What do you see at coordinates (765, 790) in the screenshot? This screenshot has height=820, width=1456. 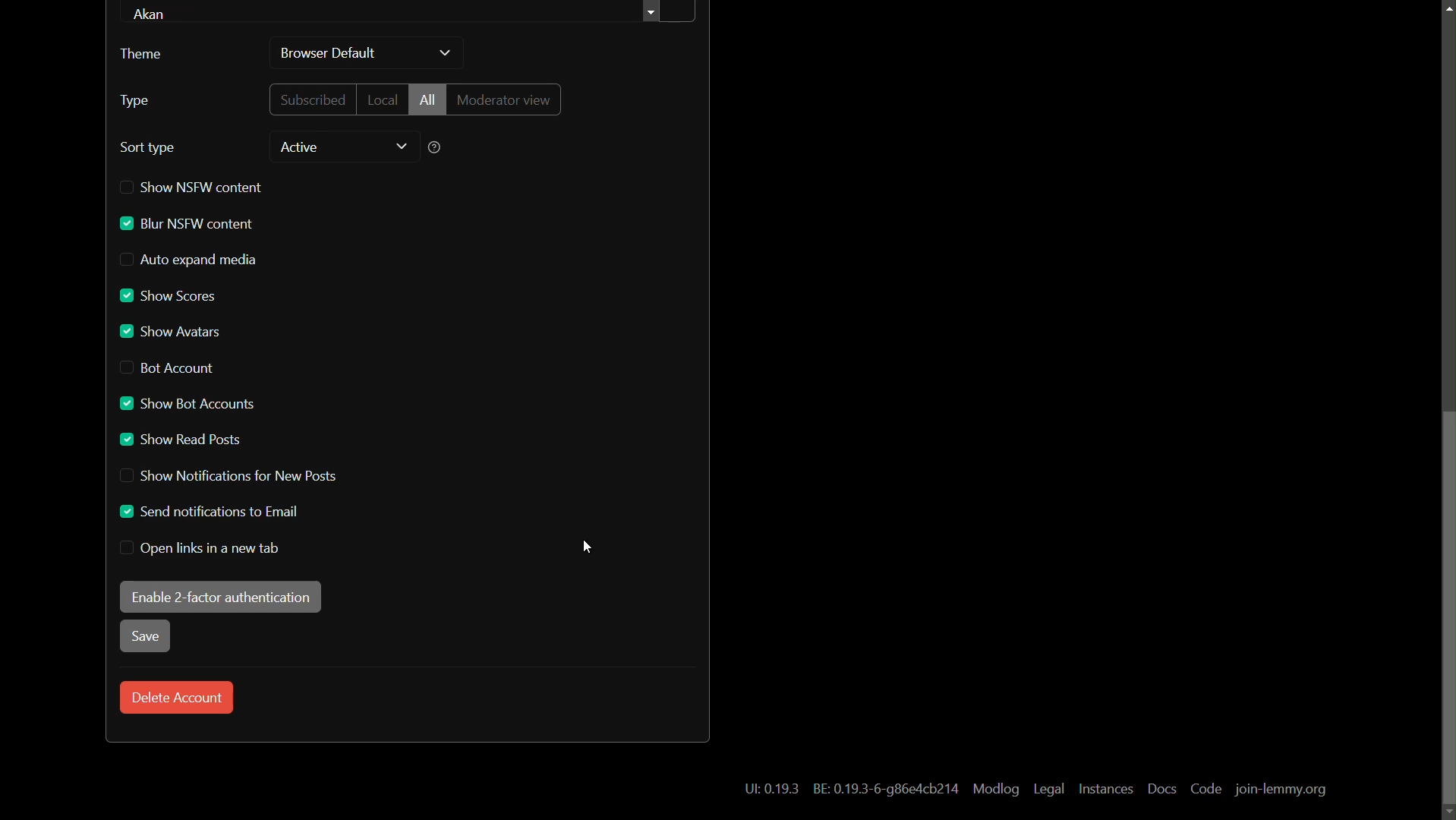 I see `text` at bounding box center [765, 790].